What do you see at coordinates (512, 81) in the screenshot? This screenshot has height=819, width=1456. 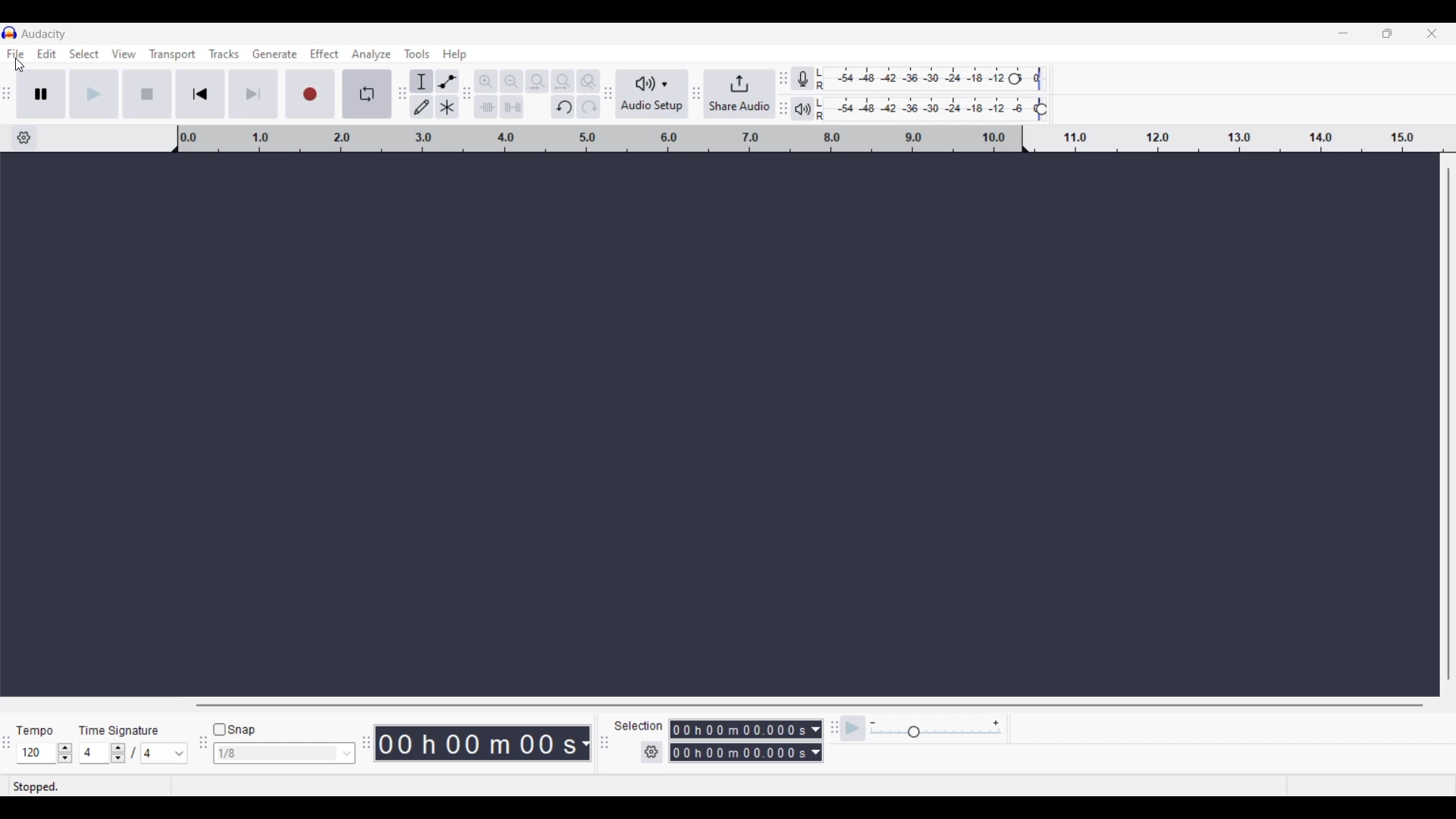 I see `Zoom out` at bounding box center [512, 81].